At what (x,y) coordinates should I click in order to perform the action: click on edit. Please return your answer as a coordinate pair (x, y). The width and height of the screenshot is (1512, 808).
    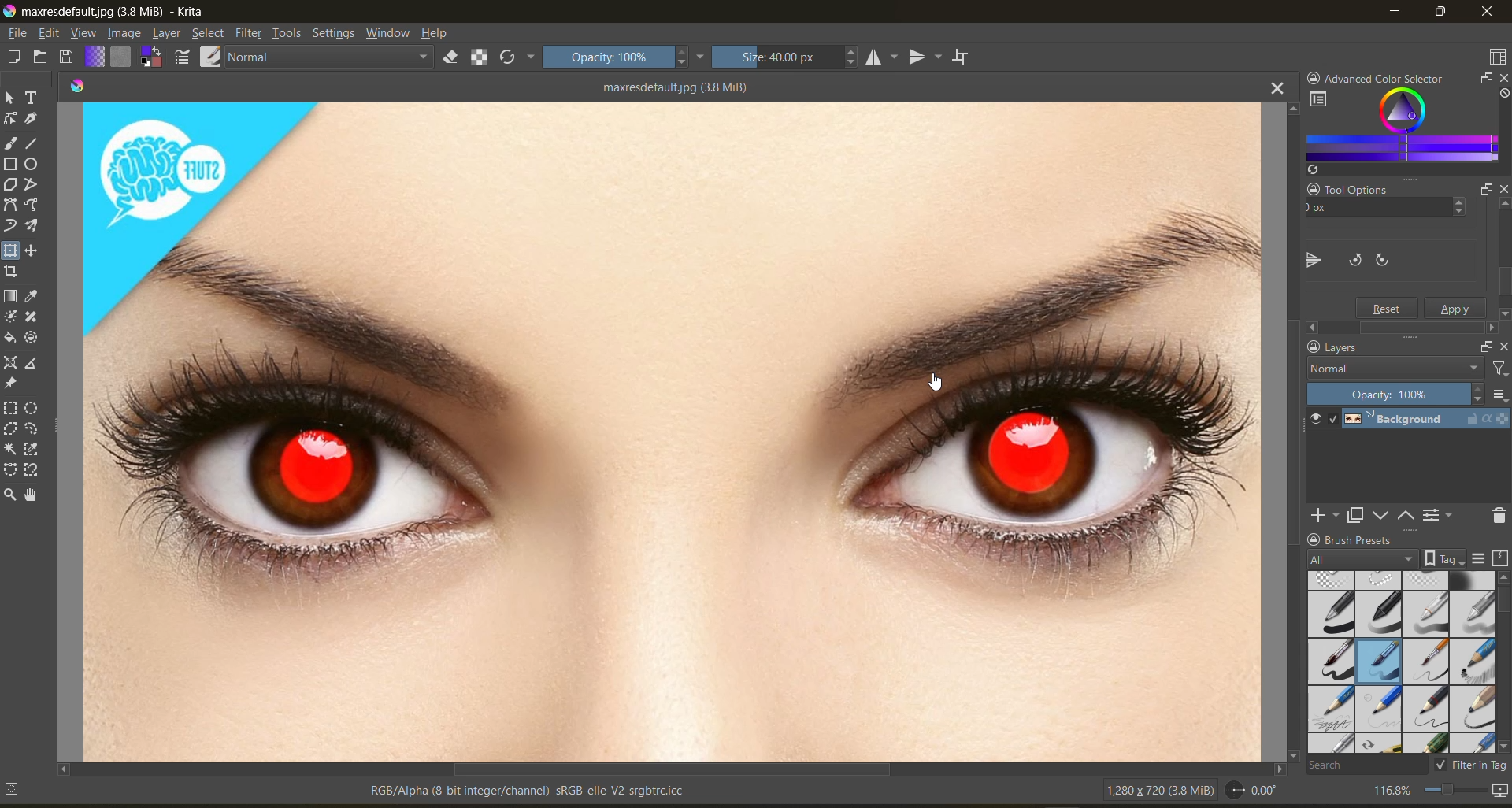
    Looking at the image, I should click on (54, 34).